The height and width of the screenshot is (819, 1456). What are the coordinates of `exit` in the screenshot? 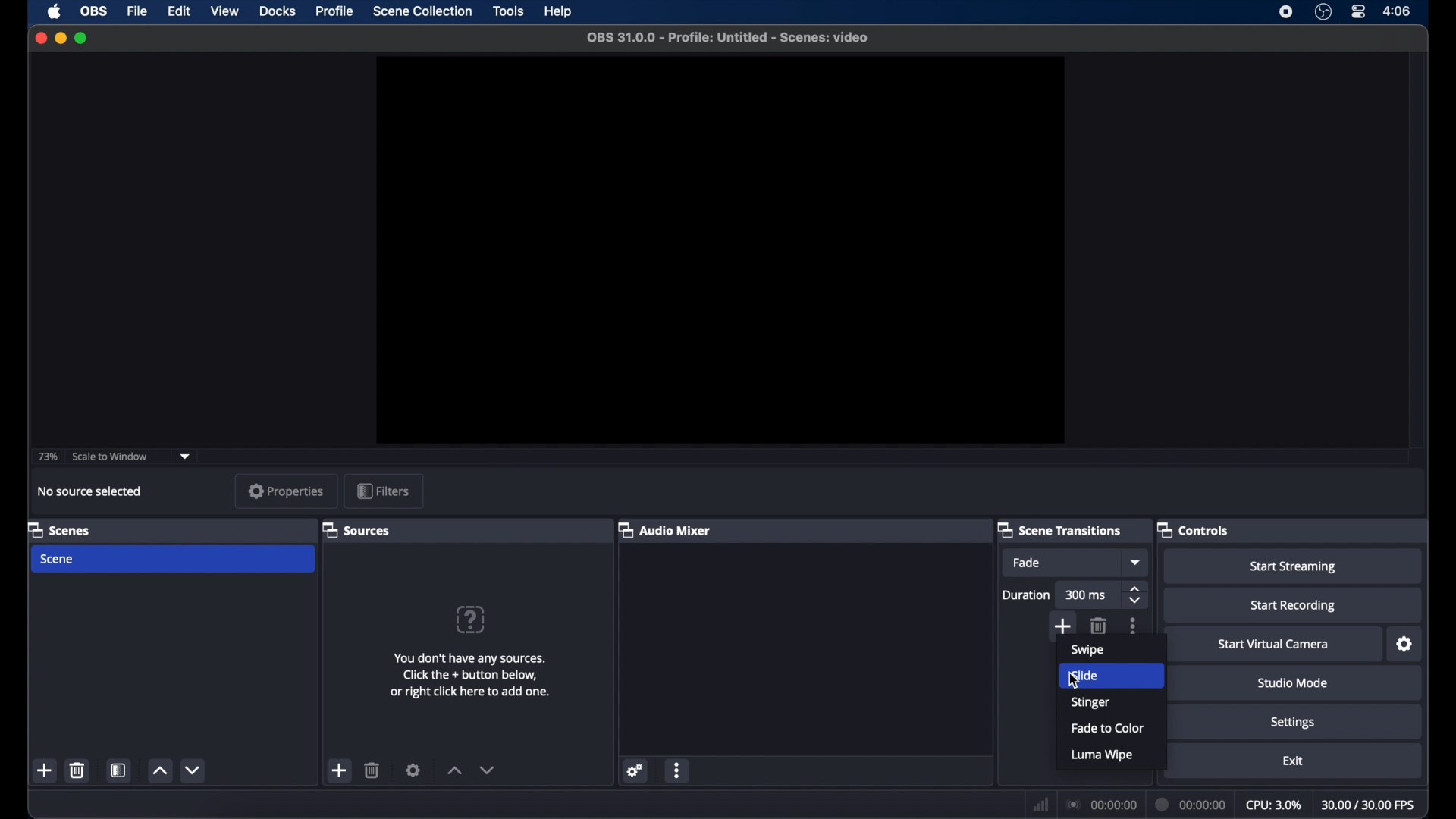 It's located at (1293, 761).